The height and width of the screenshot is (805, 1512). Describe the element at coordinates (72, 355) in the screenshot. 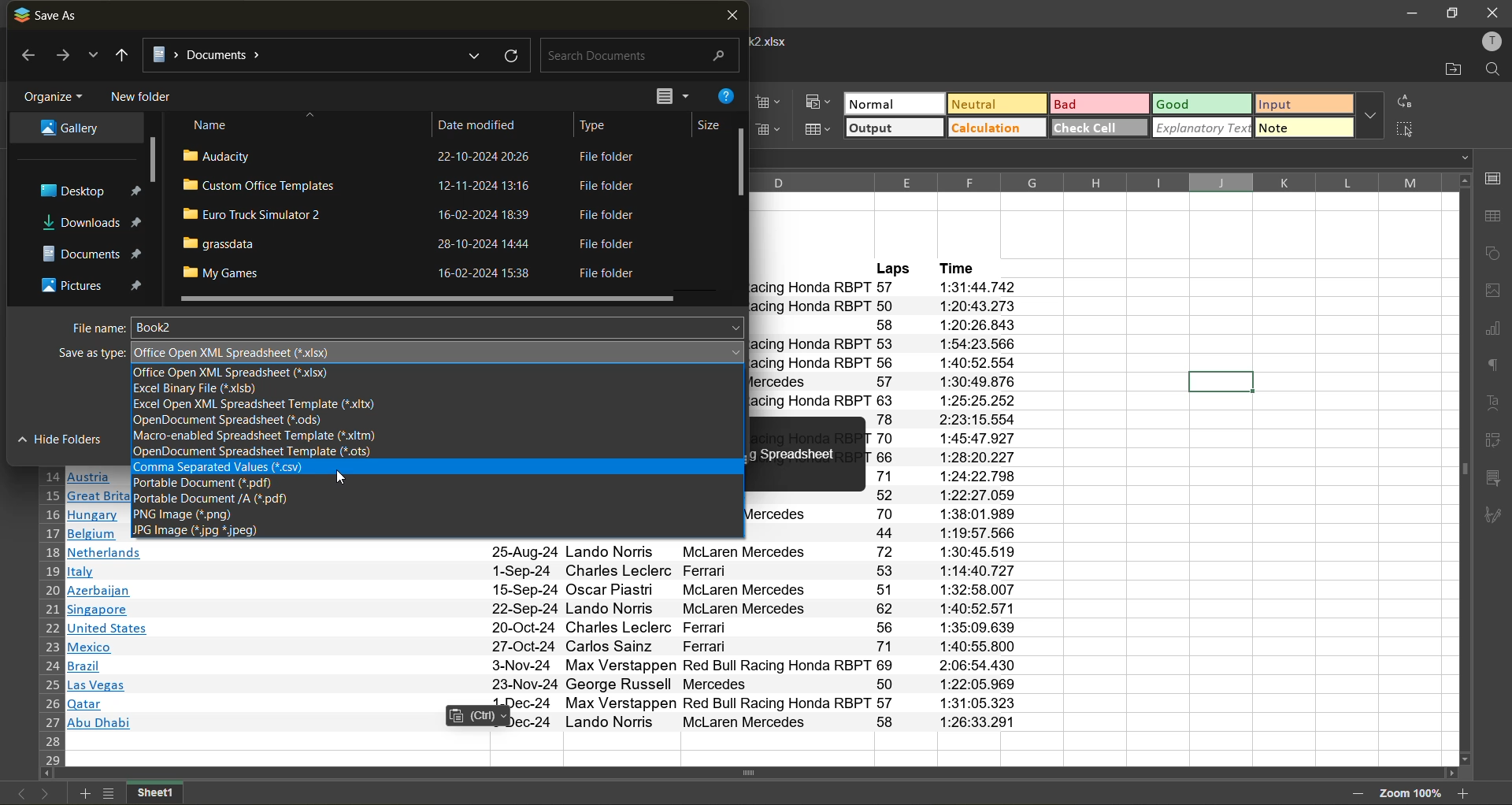

I see `save as` at that location.